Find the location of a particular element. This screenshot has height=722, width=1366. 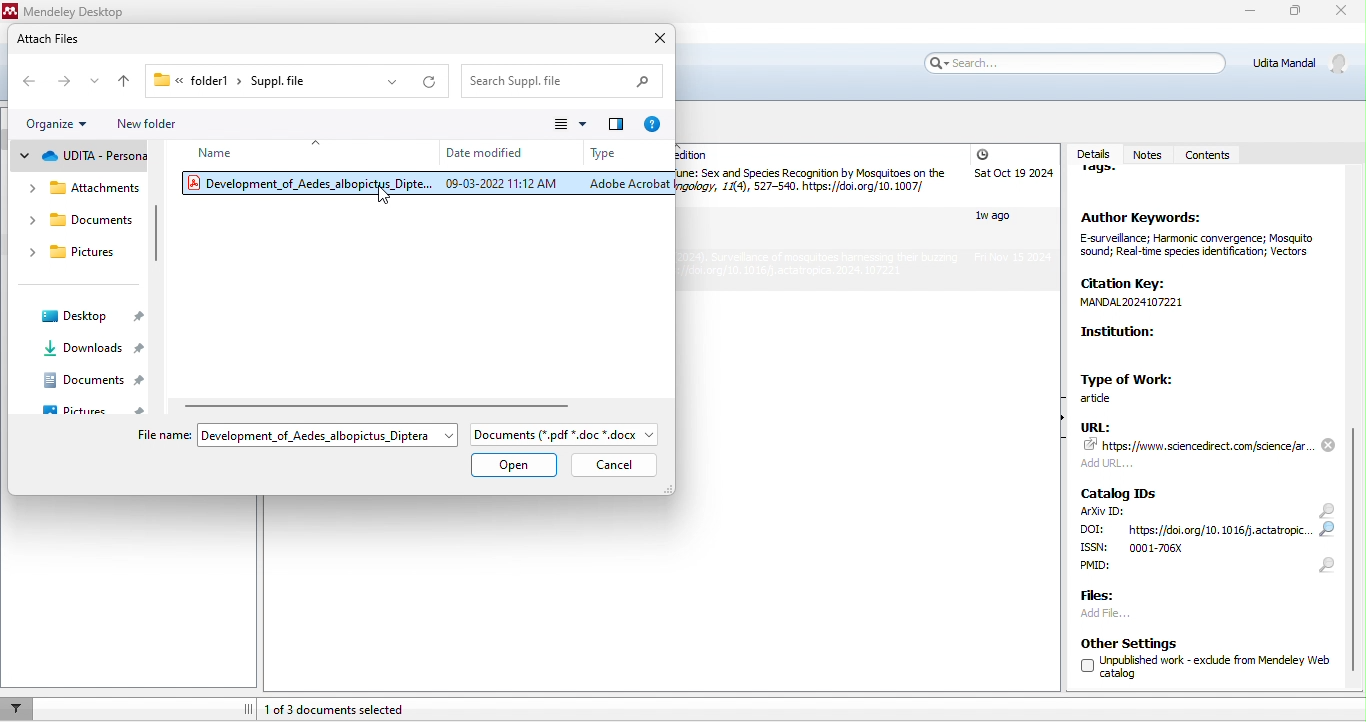

attachment is located at coordinates (79, 187).